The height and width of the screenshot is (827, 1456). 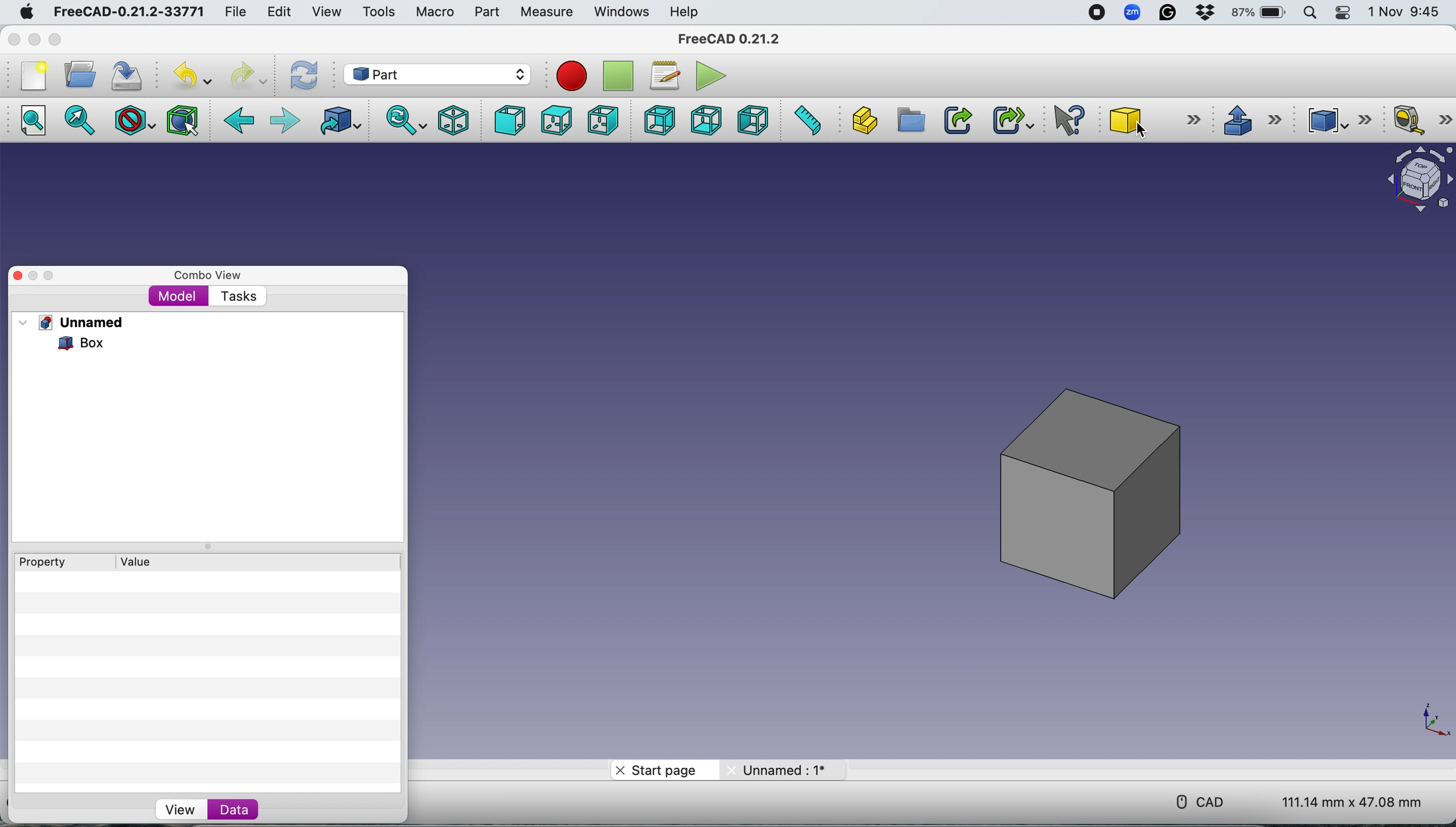 What do you see at coordinates (70, 343) in the screenshot?
I see `Box` at bounding box center [70, 343].